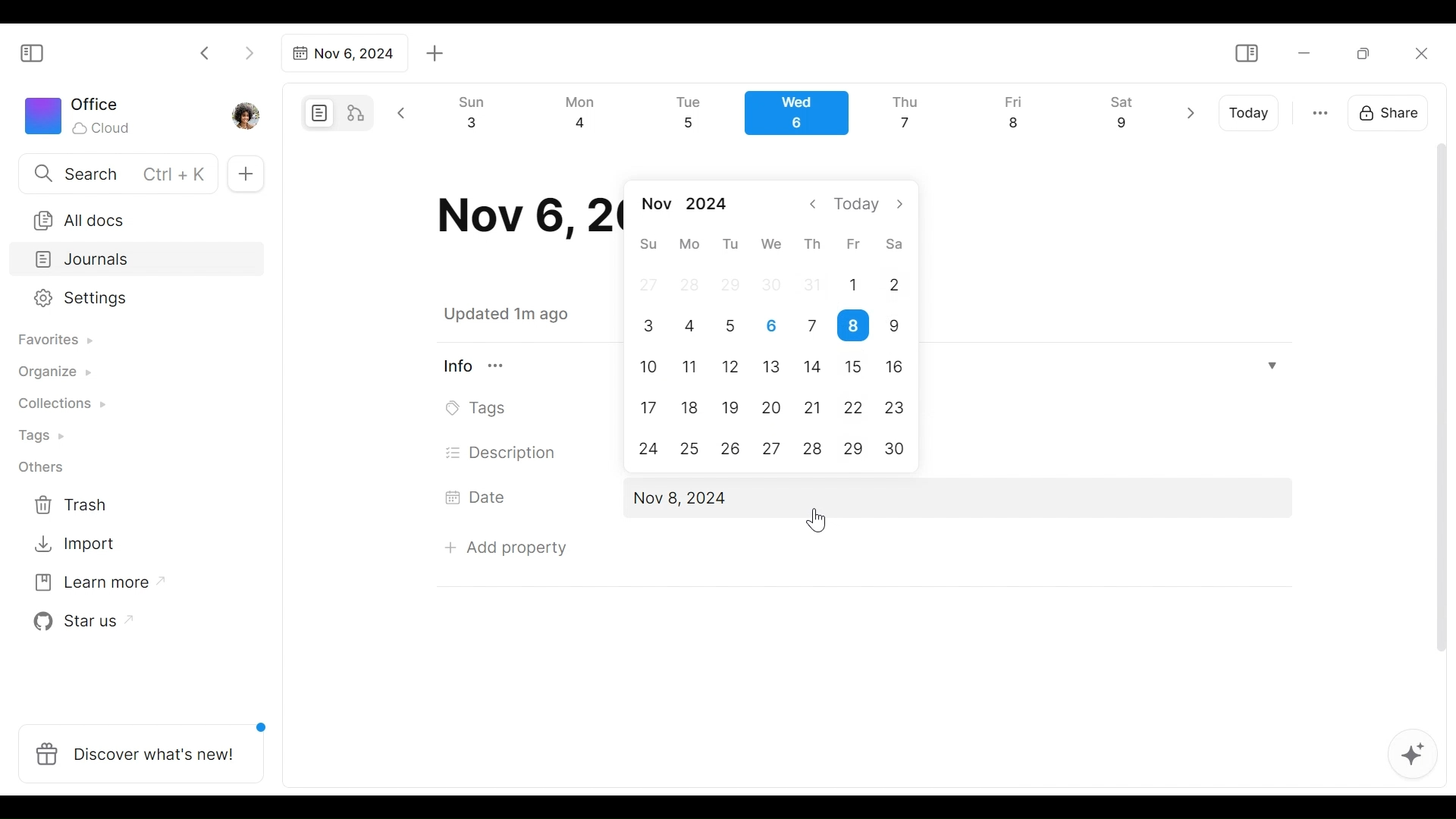 Image resolution: width=1456 pixels, height=819 pixels. I want to click on Trash, so click(72, 505).